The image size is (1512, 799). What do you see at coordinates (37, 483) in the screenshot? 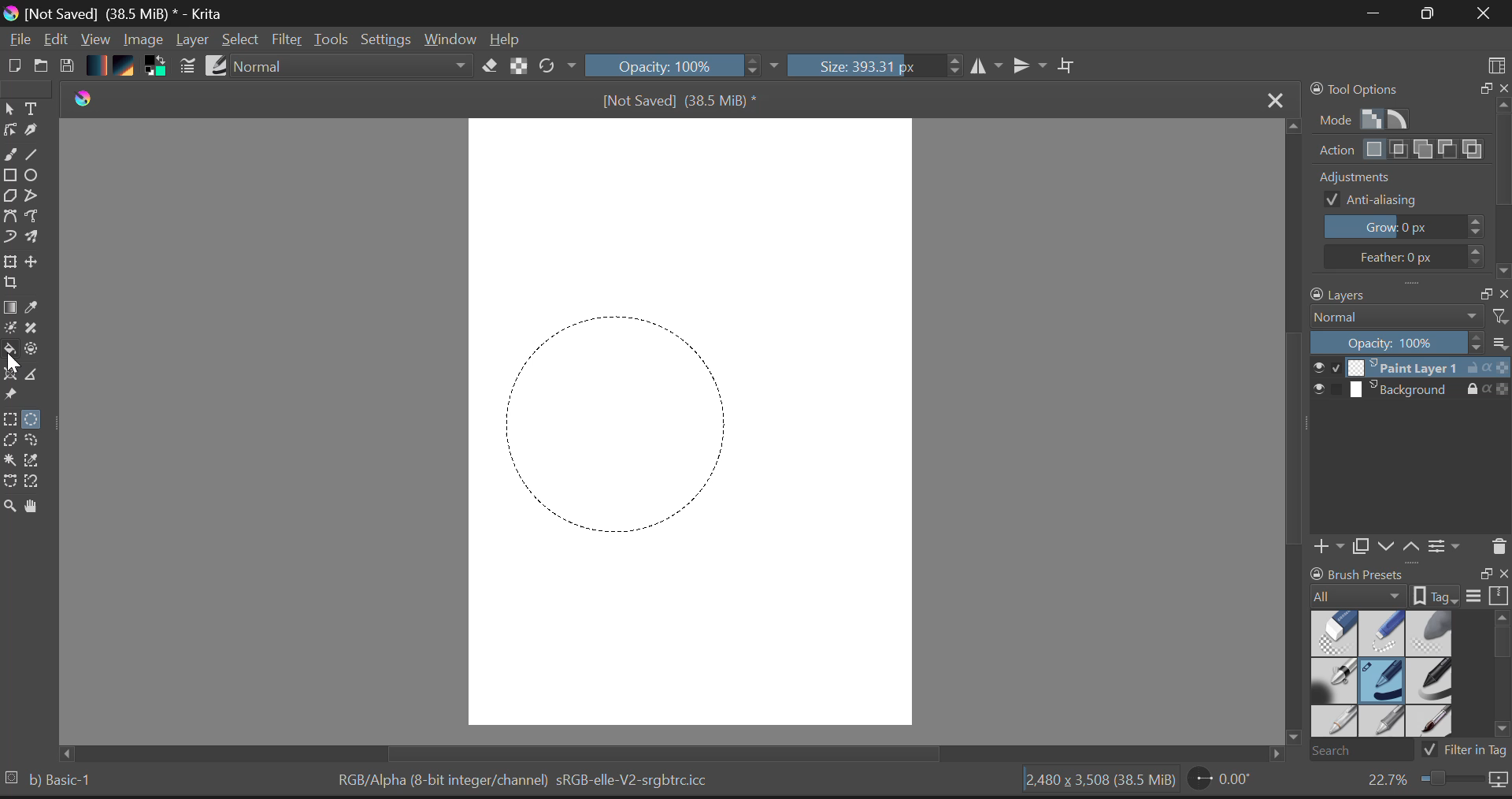
I see `Magnetic Selection` at bounding box center [37, 483].